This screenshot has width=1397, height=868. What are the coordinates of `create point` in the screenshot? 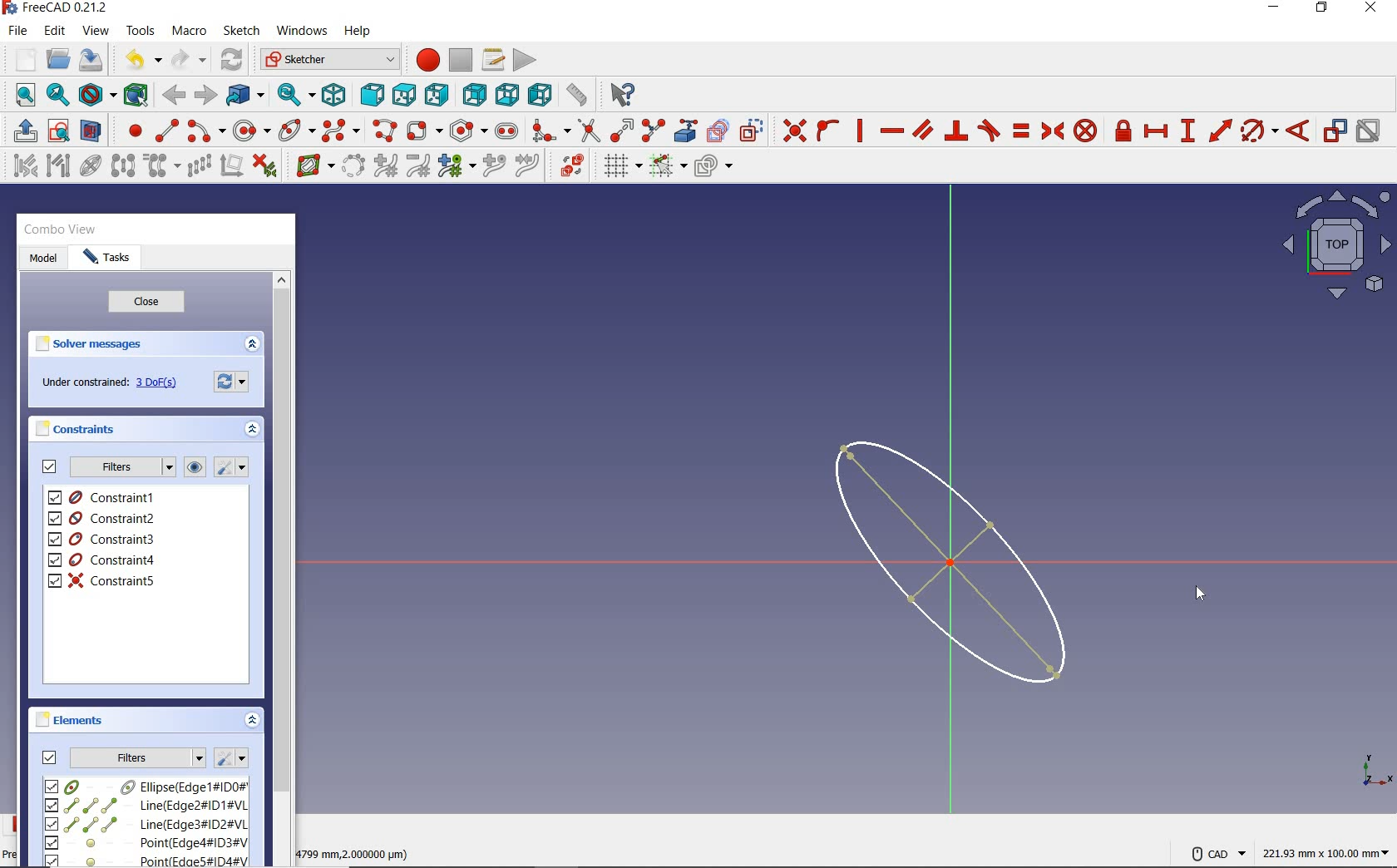 It's located at (131, 131).